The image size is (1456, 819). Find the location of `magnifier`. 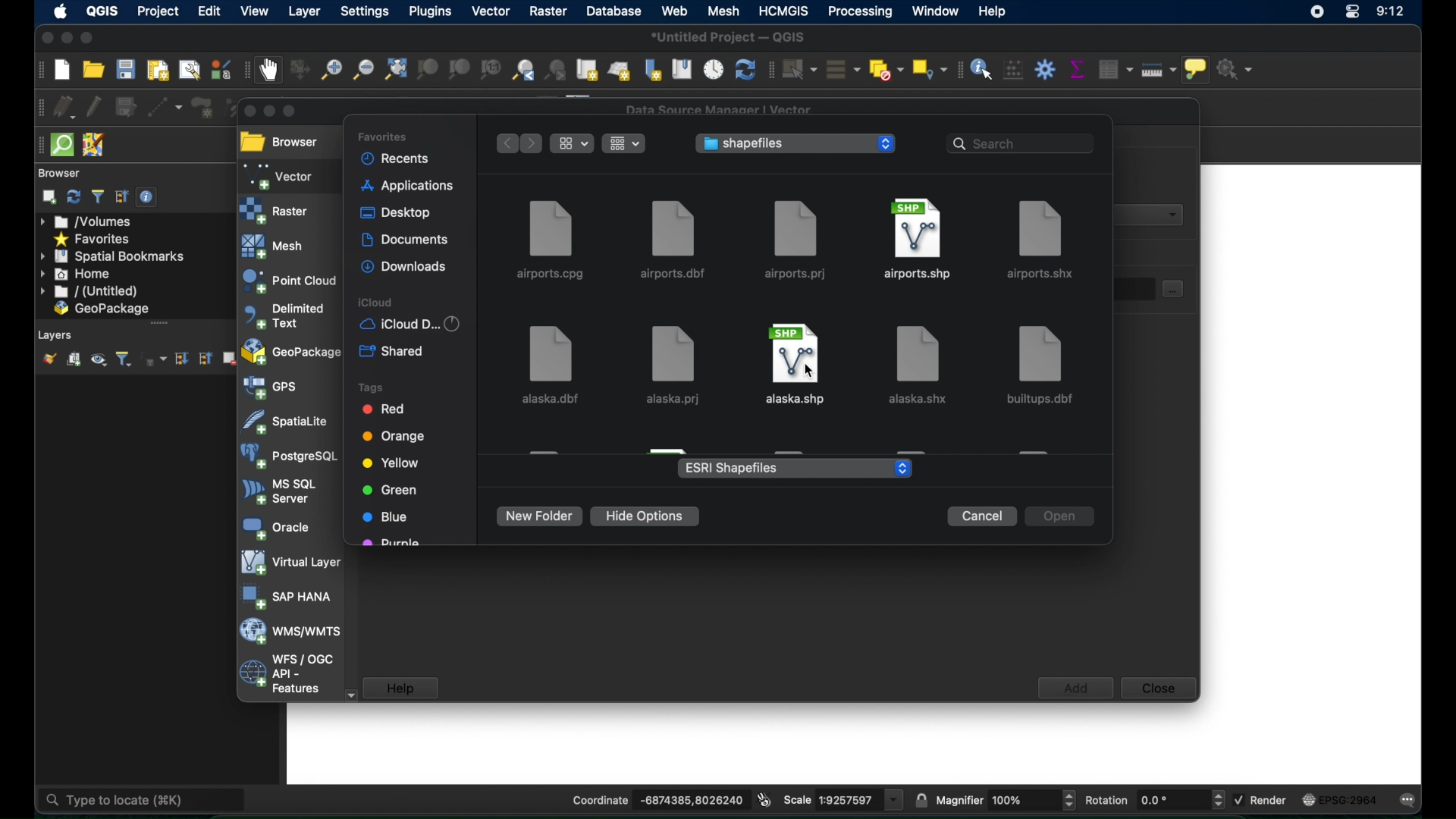

magnifier is located at coordinates (1007, 798).